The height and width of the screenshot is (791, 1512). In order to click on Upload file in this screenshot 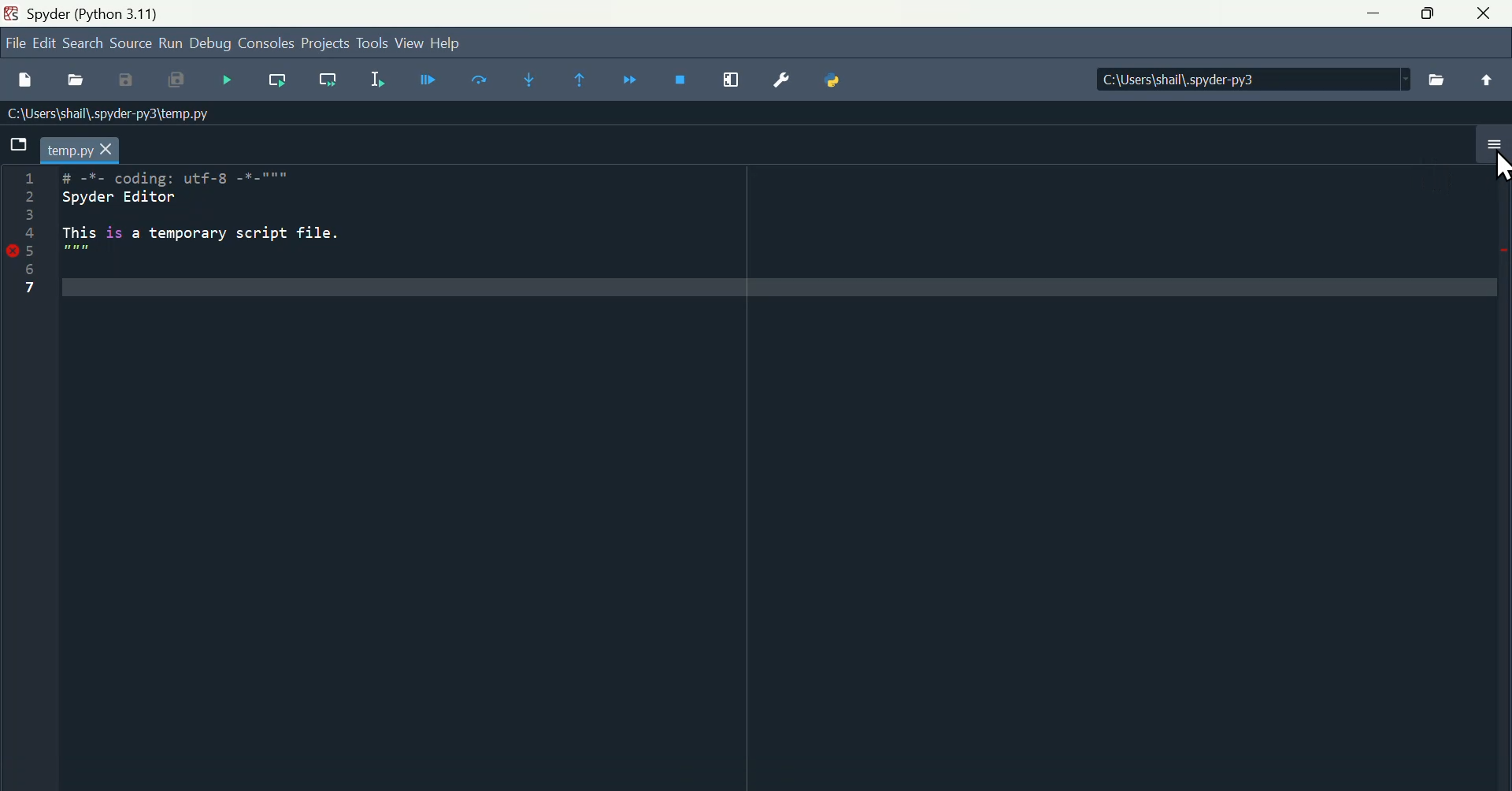, I will do `click(1484, 84)`.